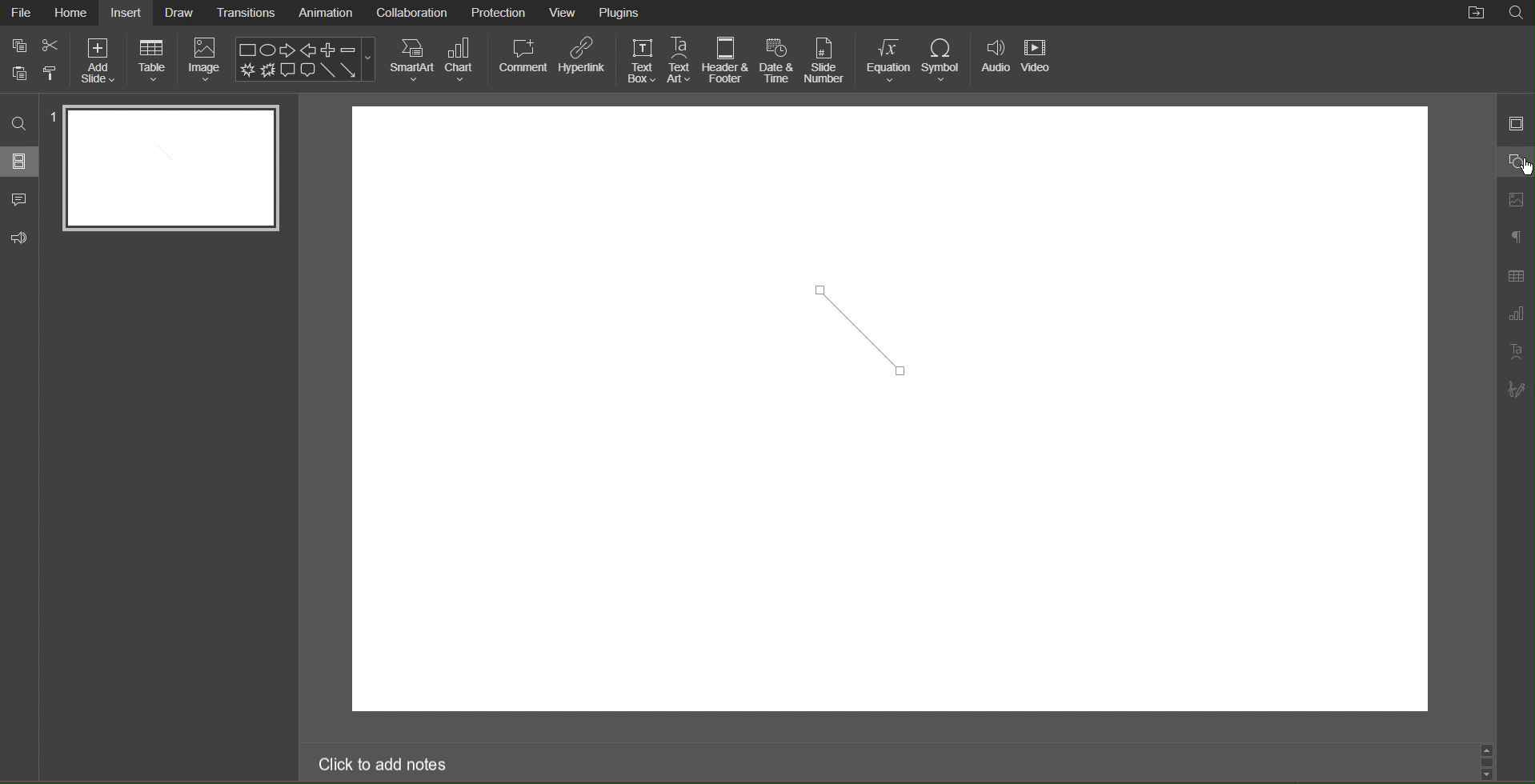  Describe the element at coordinates (34, 60) in the screenshot. I see `Cut Copy Paste` at that location.